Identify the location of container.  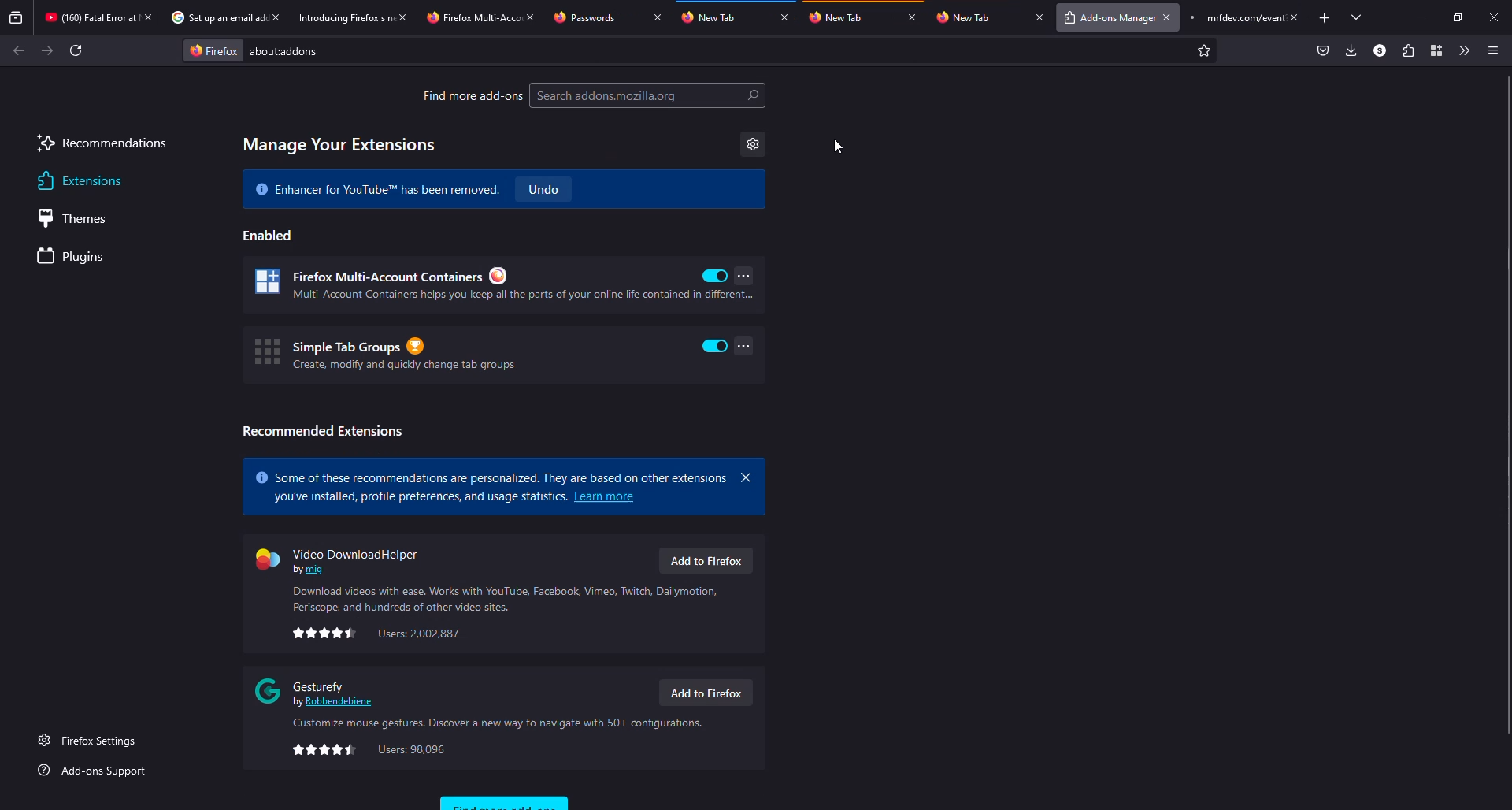
(1436, 50).